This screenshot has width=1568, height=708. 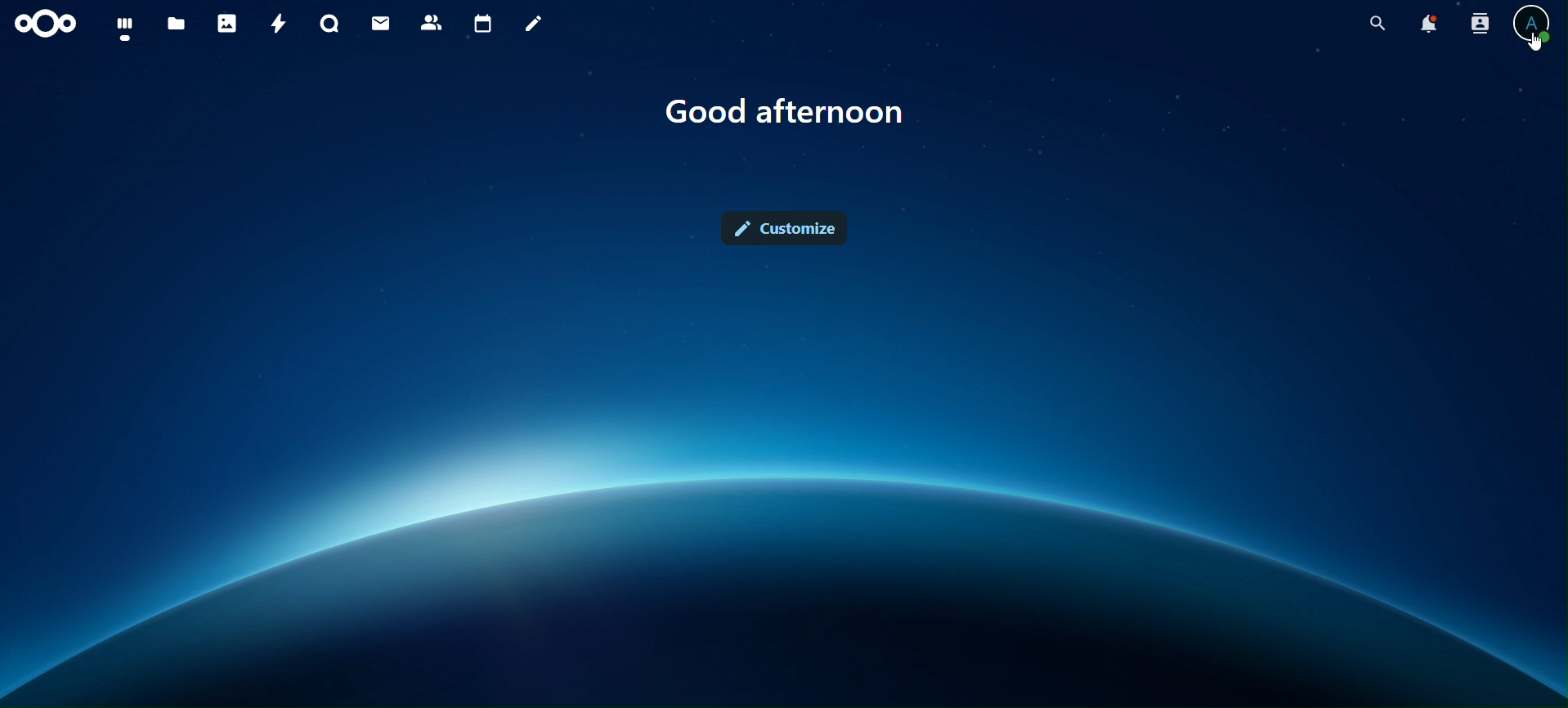 What do you see at coordinates (431, 21) in the screenshot?
I see `contacts` at bounding box center [431, 21].